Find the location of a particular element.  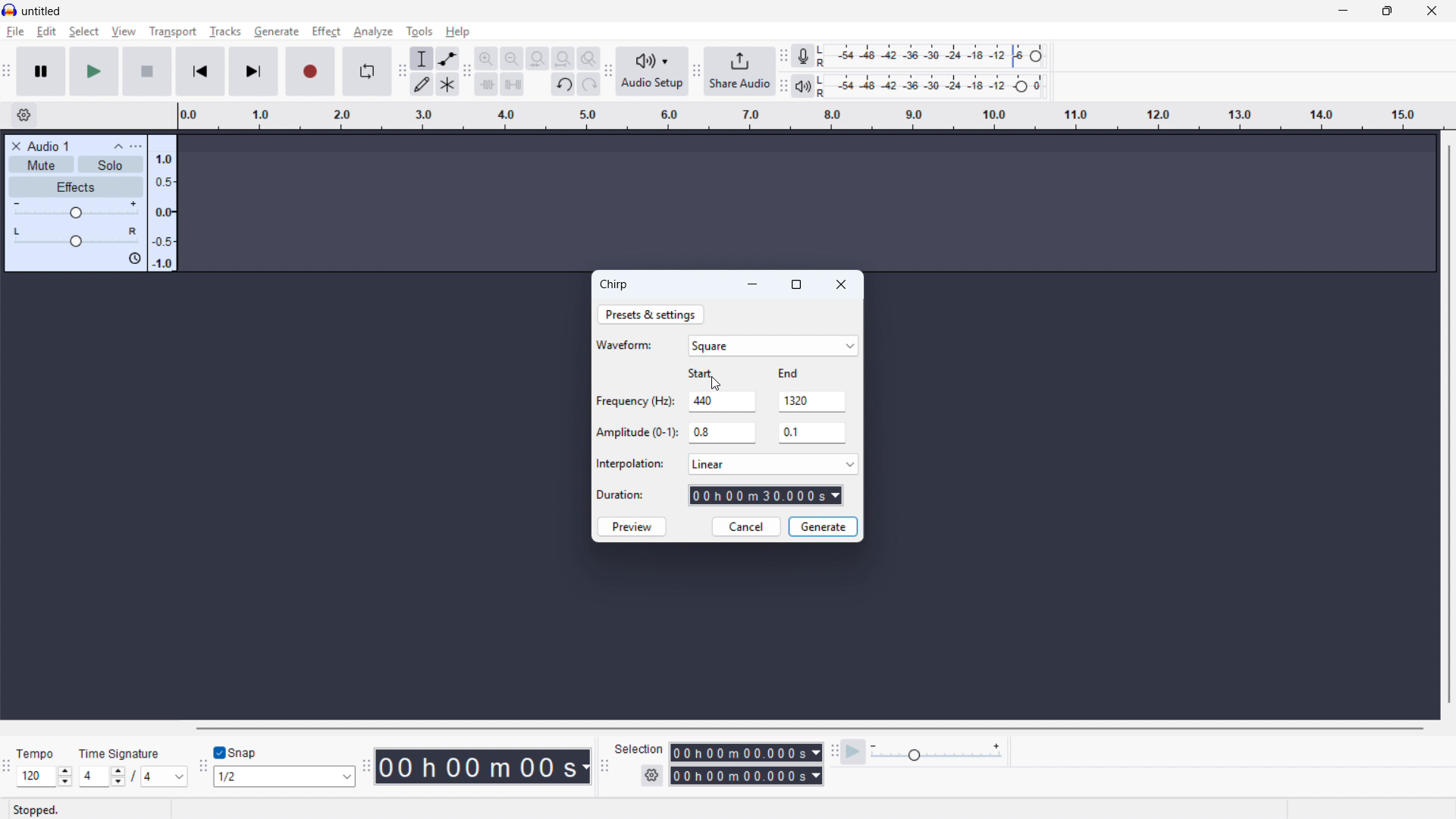

Silence audio selection  is located at coordinates (512, 83).